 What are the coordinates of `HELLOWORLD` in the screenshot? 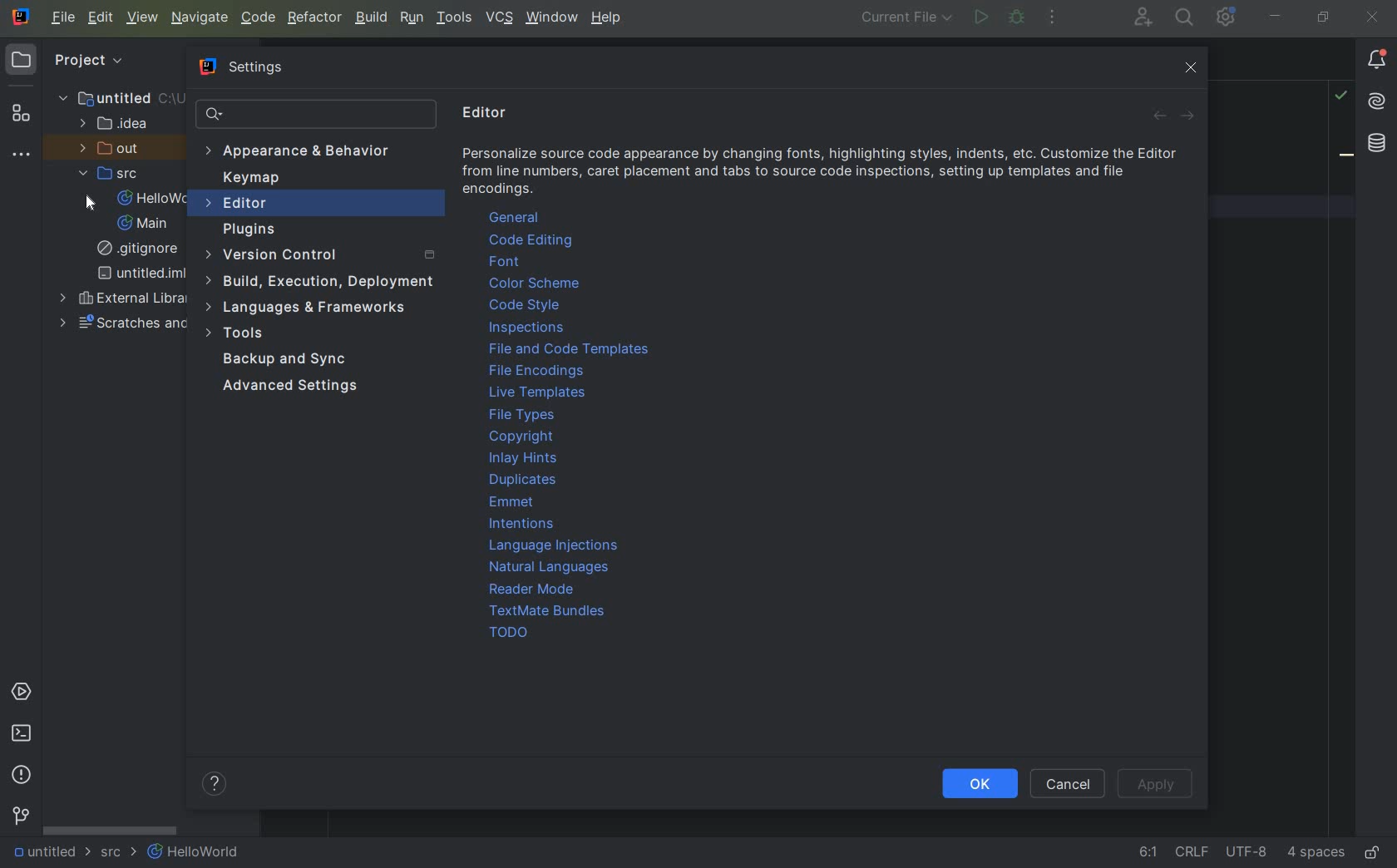 It's located at (192, 851).